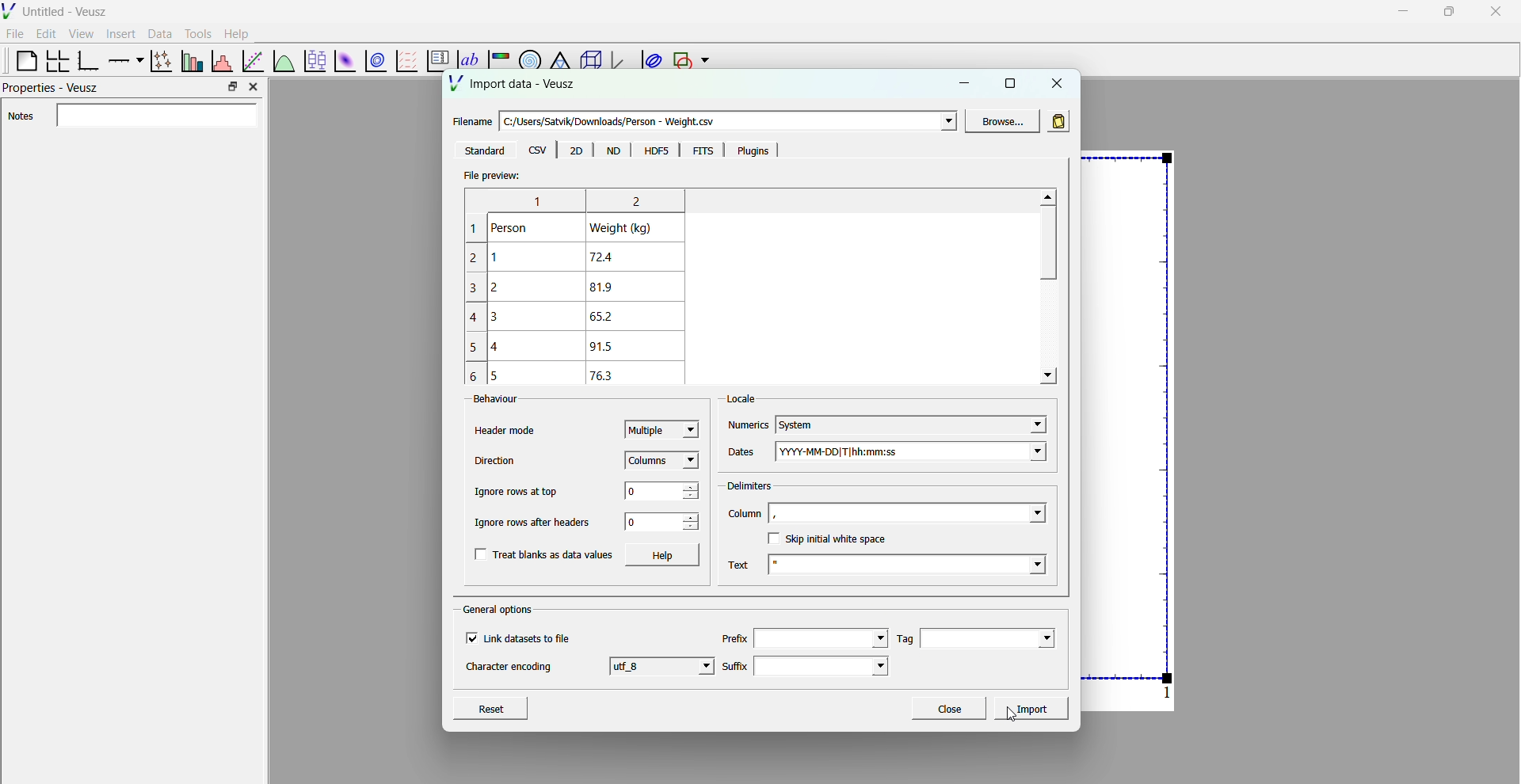  Describe the element at coordinates (833, 538) in the screenshot. I see ` SKIp inital white space` at that location.